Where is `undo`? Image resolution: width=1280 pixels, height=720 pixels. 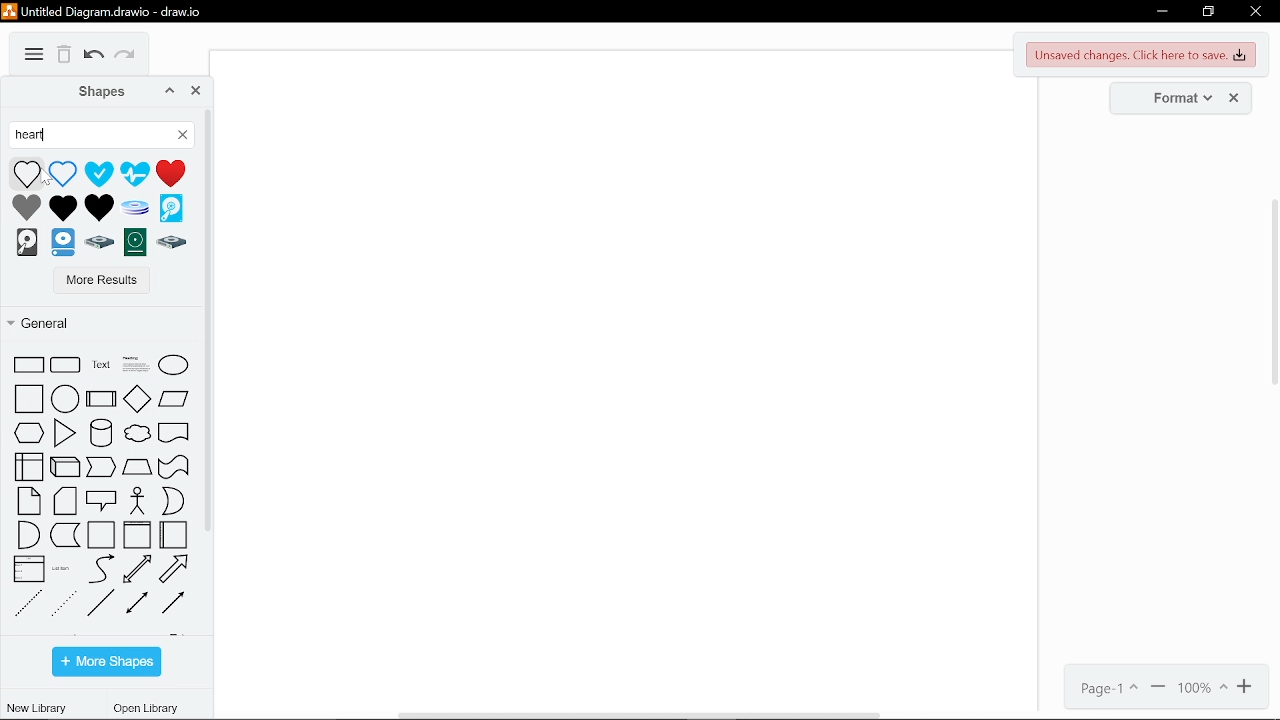
undo is located at coordinates (94, 57).